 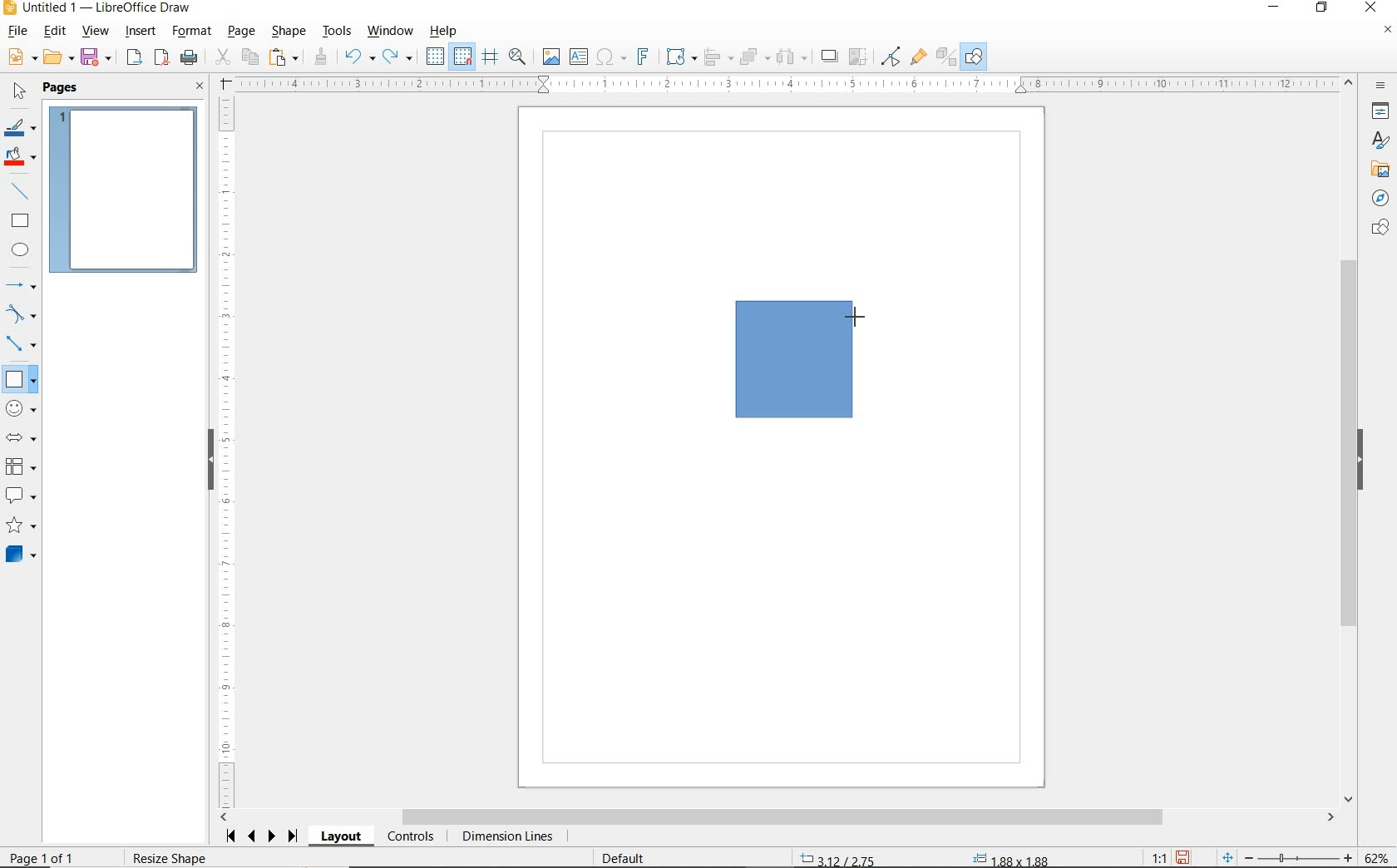 What do you see at coordinates (95, 31) in the screenshot?
I see `VIEW` at bounding box center [95, 31].